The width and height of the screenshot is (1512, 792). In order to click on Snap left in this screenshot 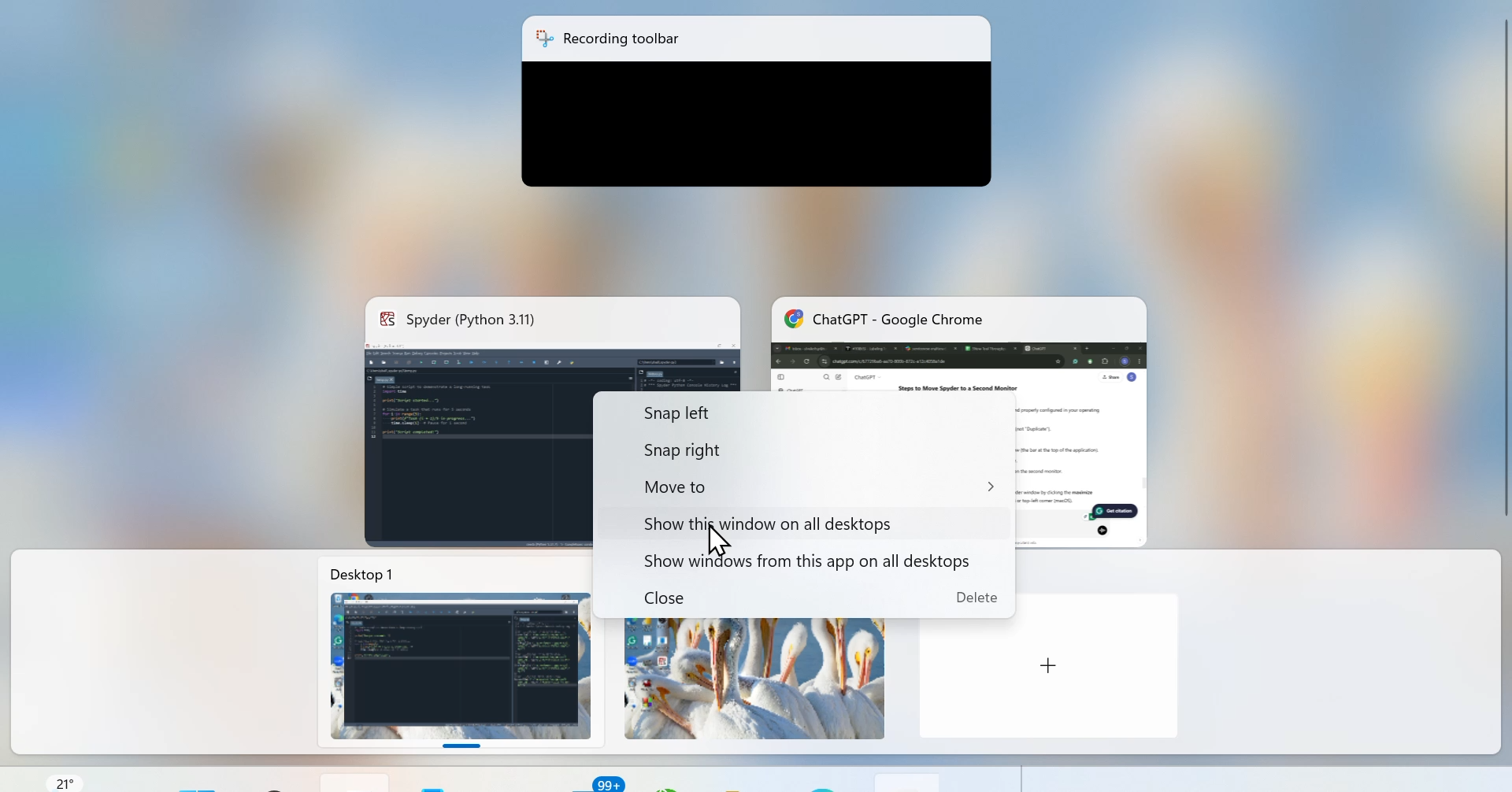, I will do `click(754, 414)`.